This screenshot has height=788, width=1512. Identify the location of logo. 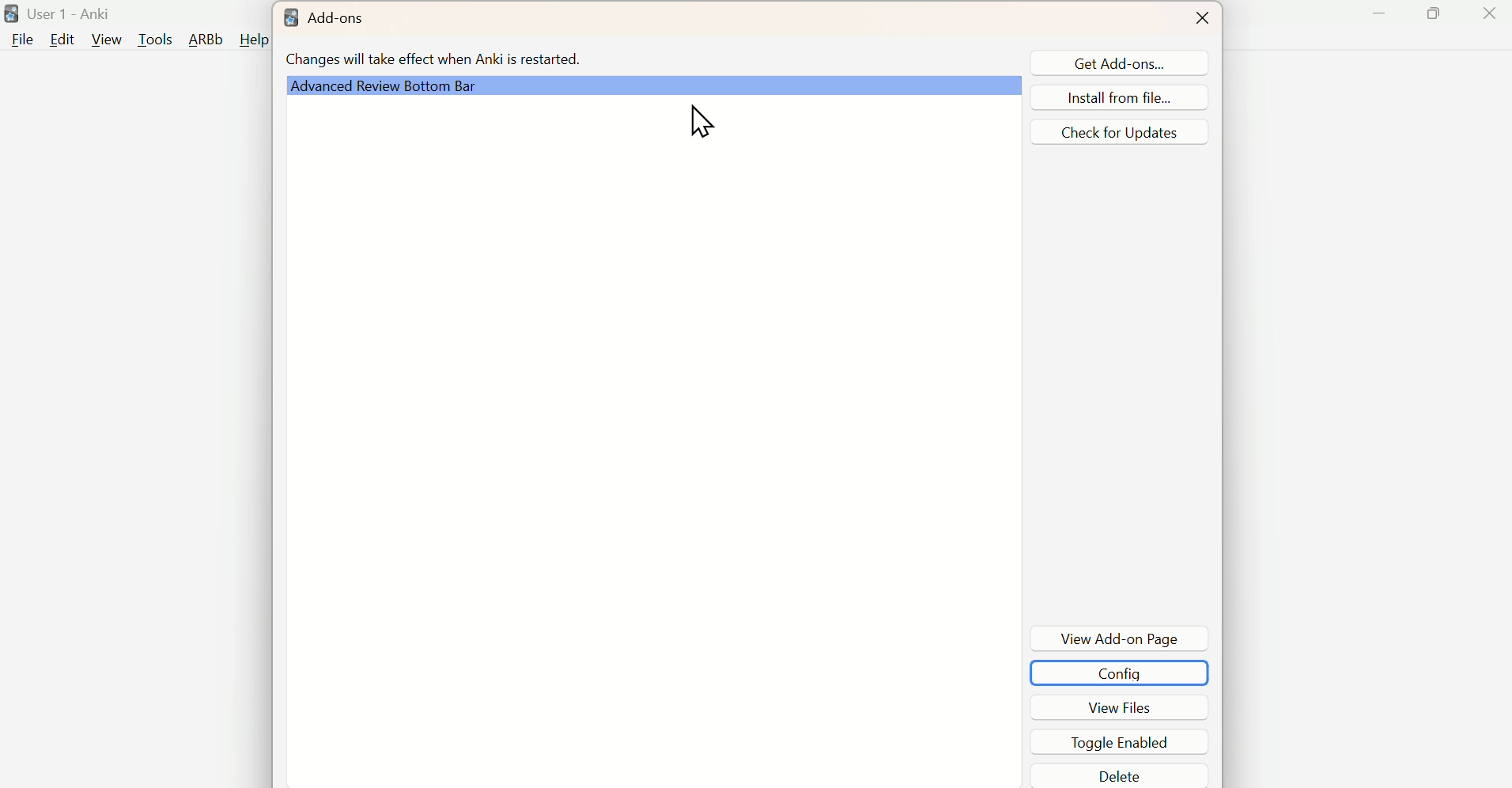
(11, 13).